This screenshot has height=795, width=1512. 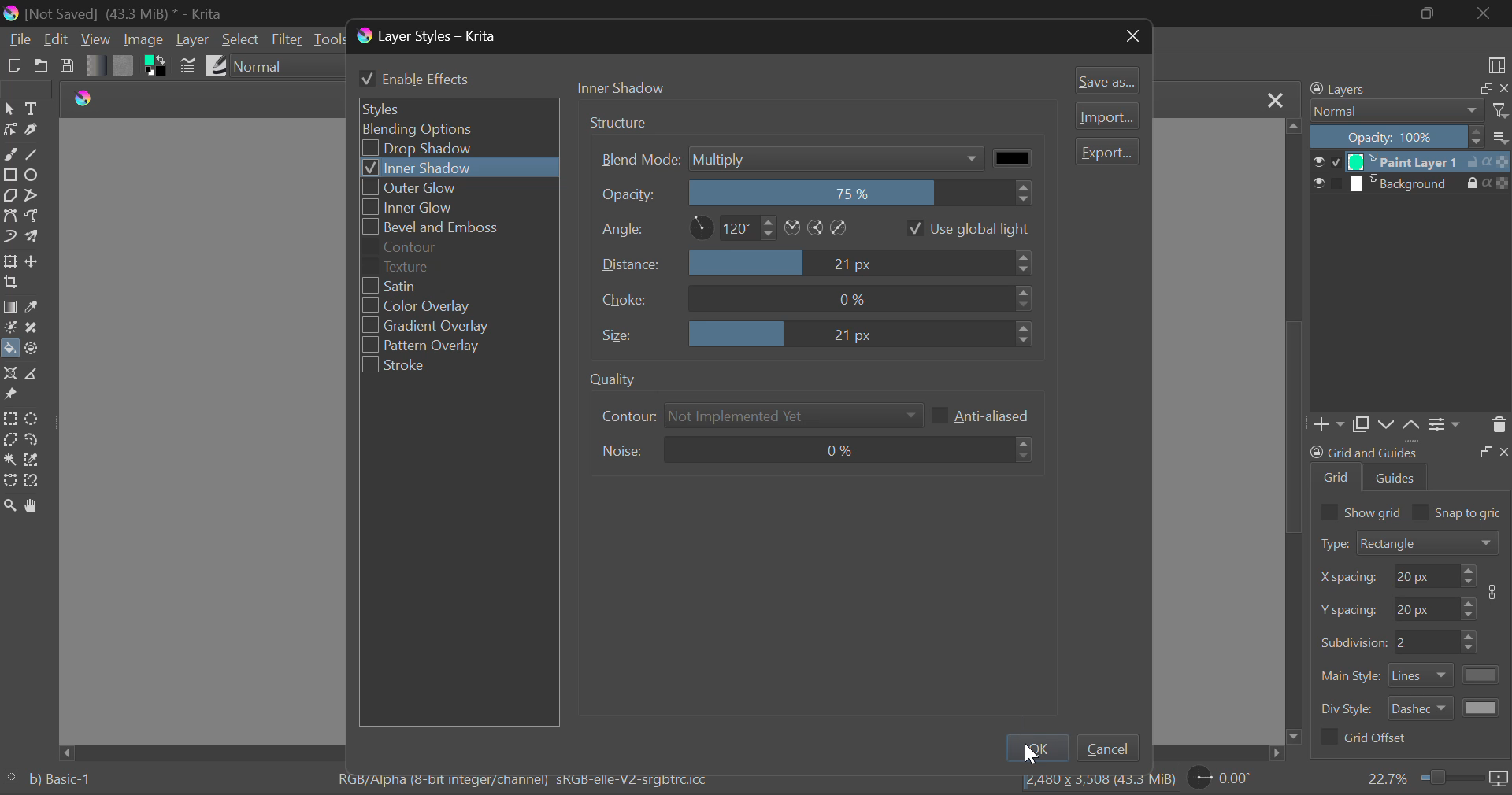 What do you see at coordinates (453, 209) in the screenshot?
I see `Inner Glow` at bounding box center [453, 209].